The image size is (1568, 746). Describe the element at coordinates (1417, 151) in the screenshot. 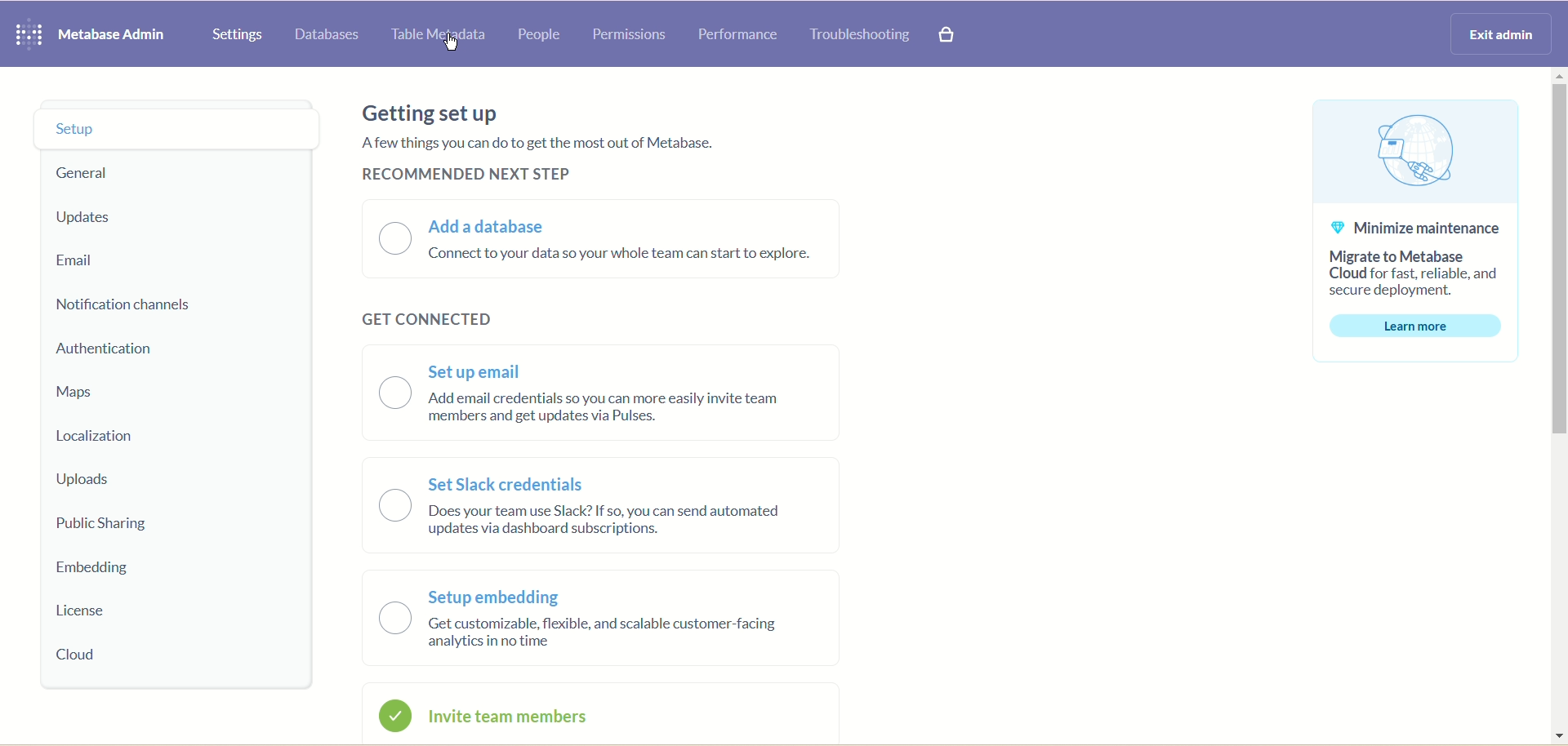

I see `Icon` at that location.